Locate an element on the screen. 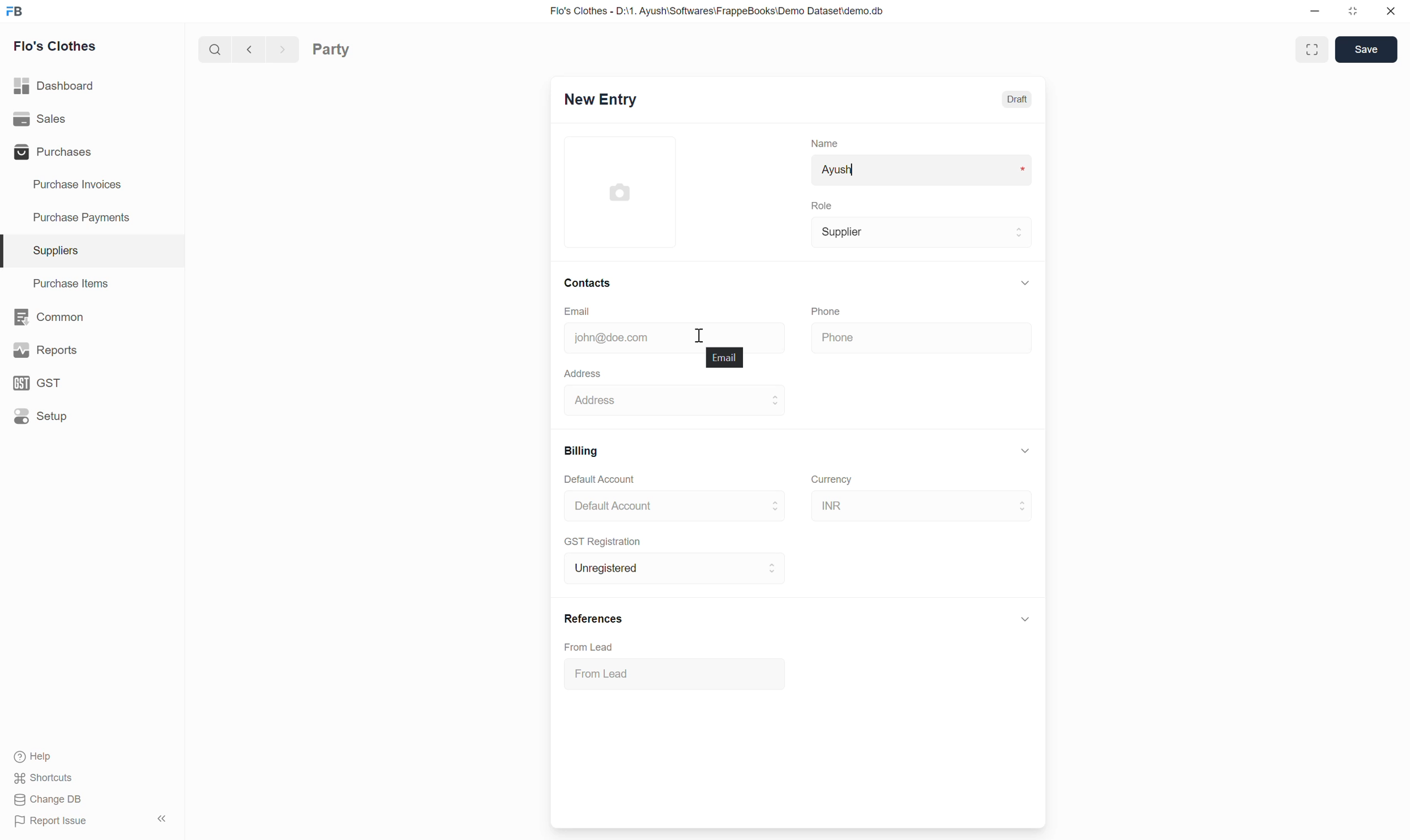  Billing is located at coordinates (581, 451).